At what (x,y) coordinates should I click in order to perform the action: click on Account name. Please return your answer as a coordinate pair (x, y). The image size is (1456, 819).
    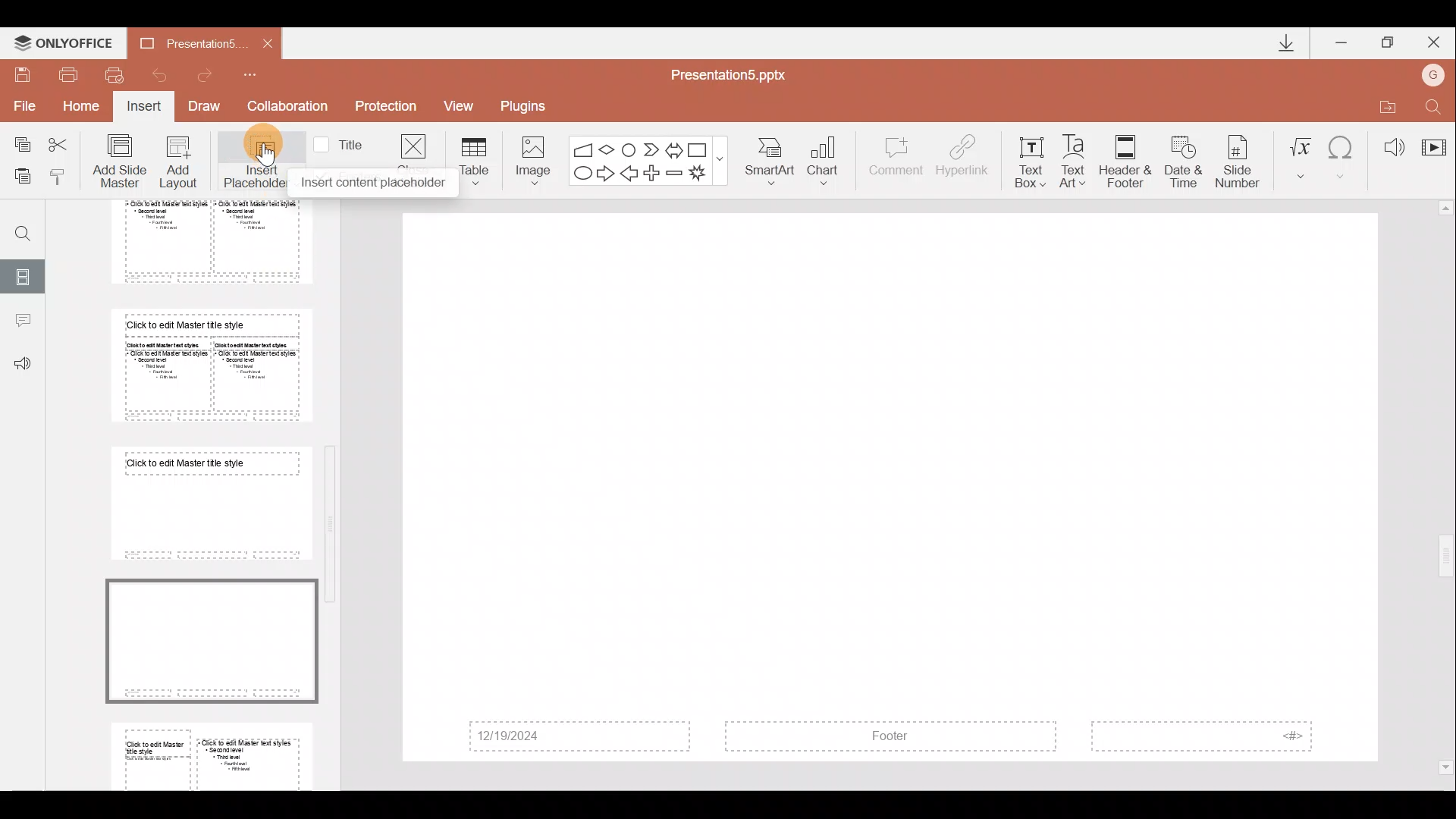
    Looking at the image, I should click on (1436, 73).